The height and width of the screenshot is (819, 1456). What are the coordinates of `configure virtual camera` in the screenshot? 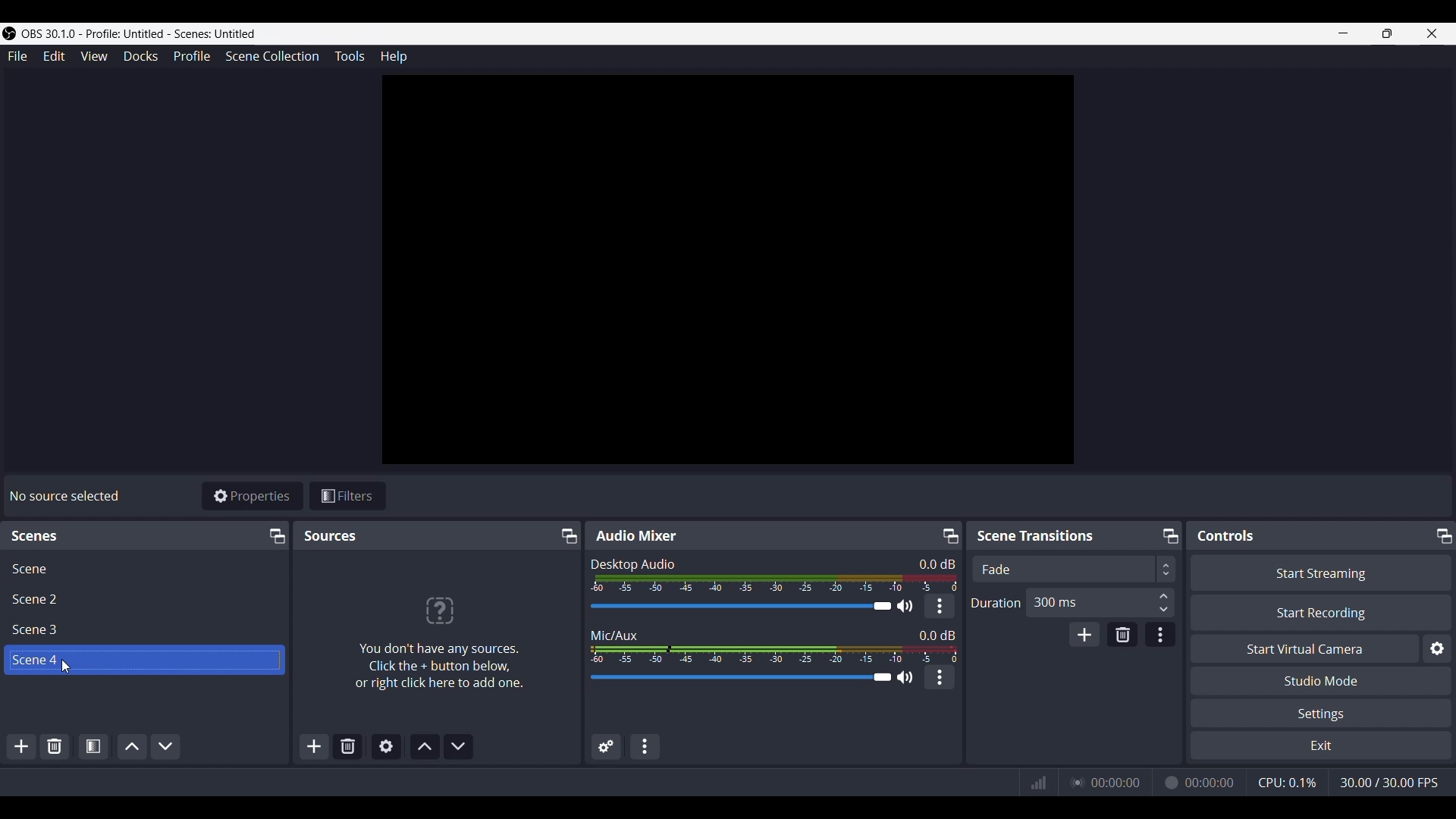 It's located at (1436, 649).